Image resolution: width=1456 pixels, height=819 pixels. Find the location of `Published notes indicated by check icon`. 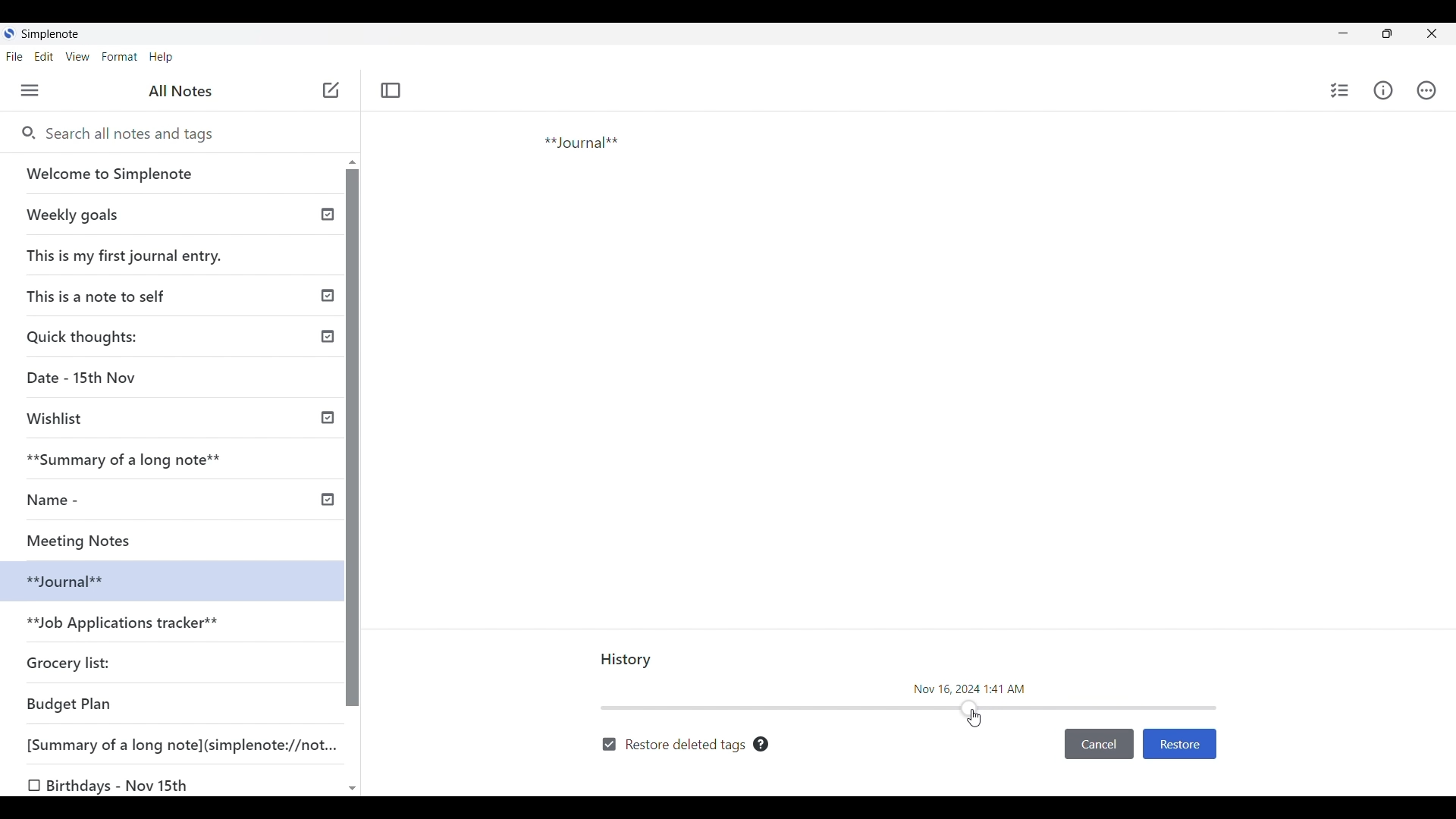

Published notes indicated by check icon is located at coordinates (328, 357).